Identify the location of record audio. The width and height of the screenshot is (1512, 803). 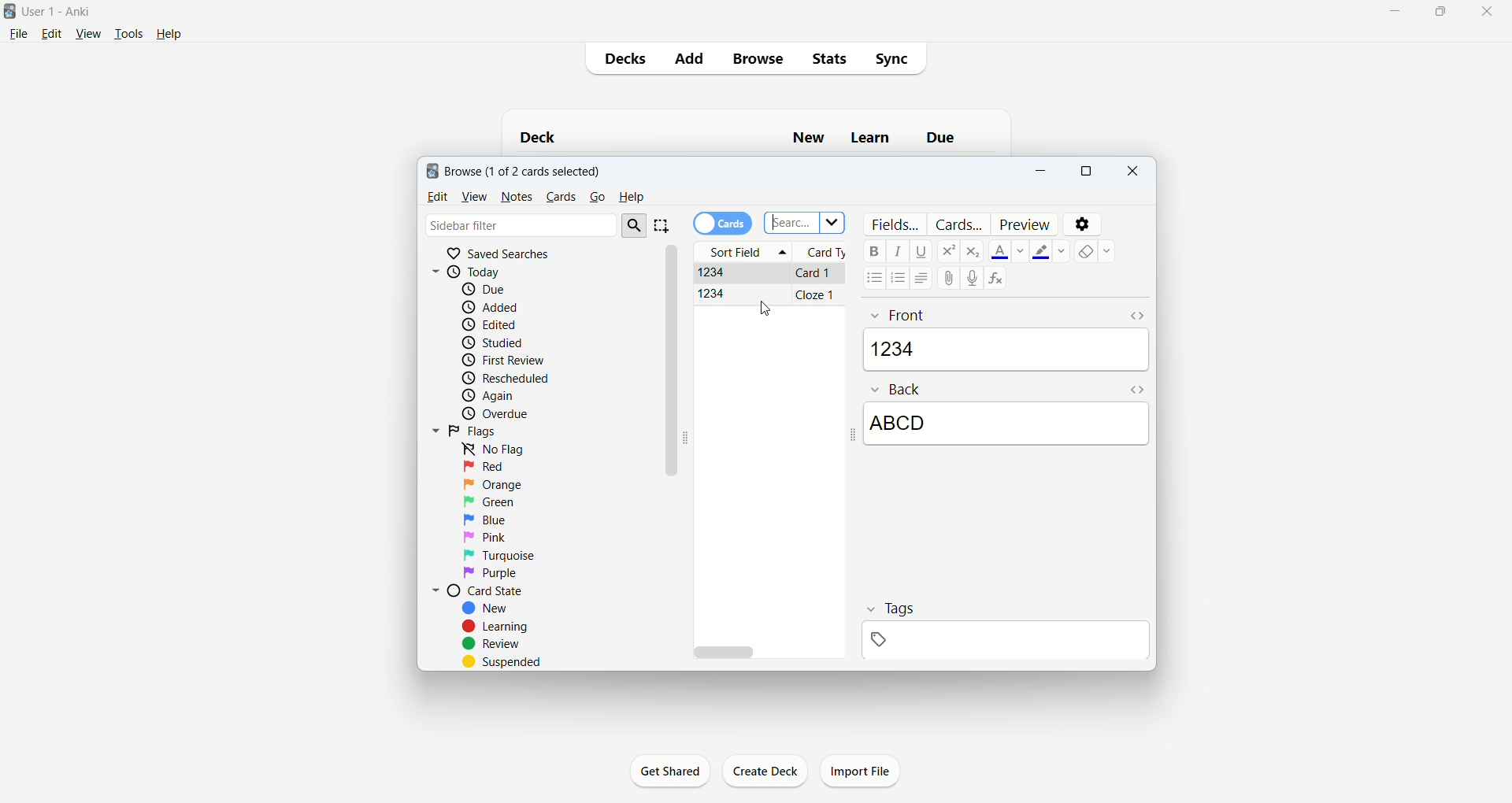
(973, 279).